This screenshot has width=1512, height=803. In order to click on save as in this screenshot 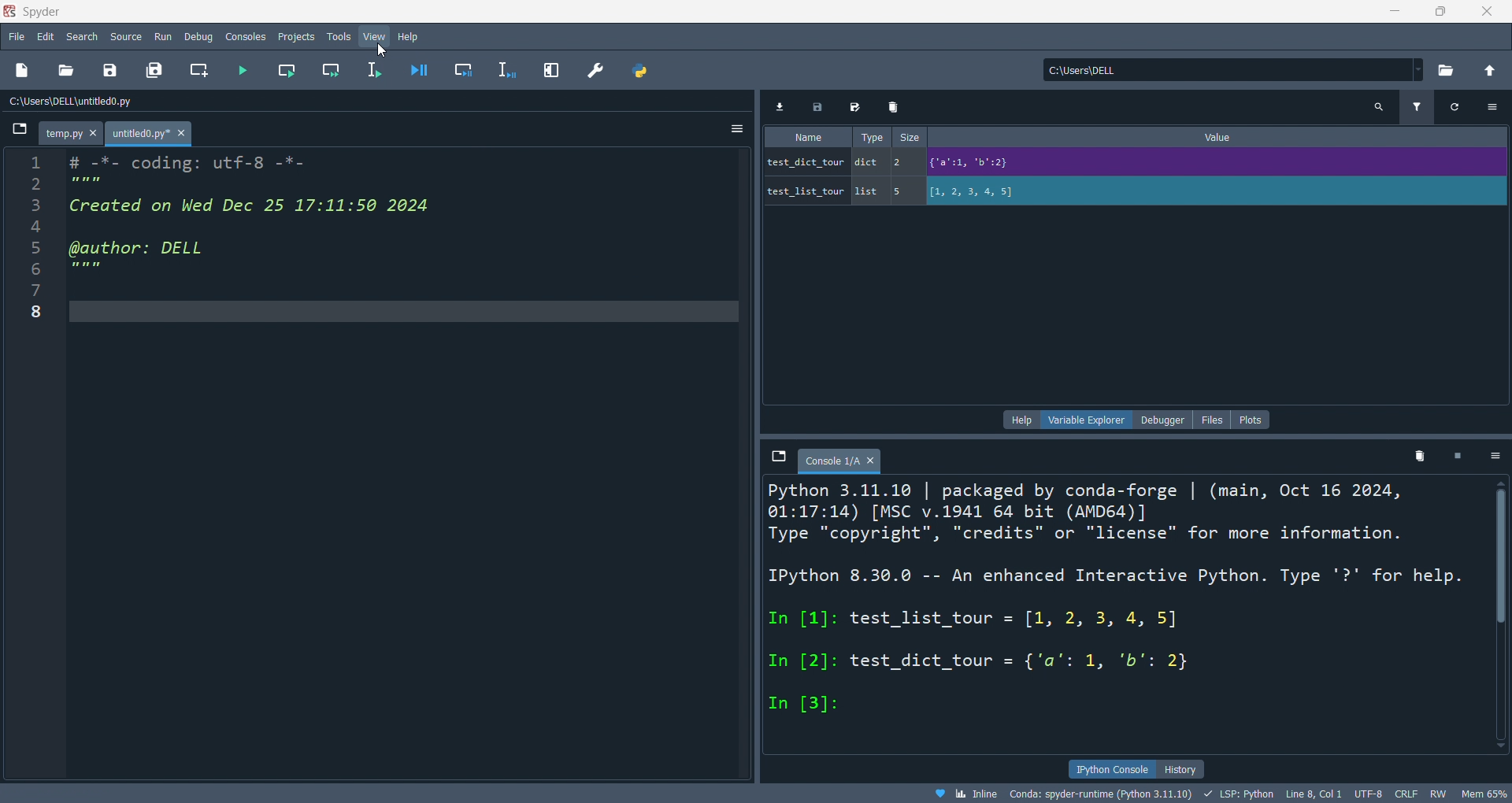, I will do `click(858, 105)`.